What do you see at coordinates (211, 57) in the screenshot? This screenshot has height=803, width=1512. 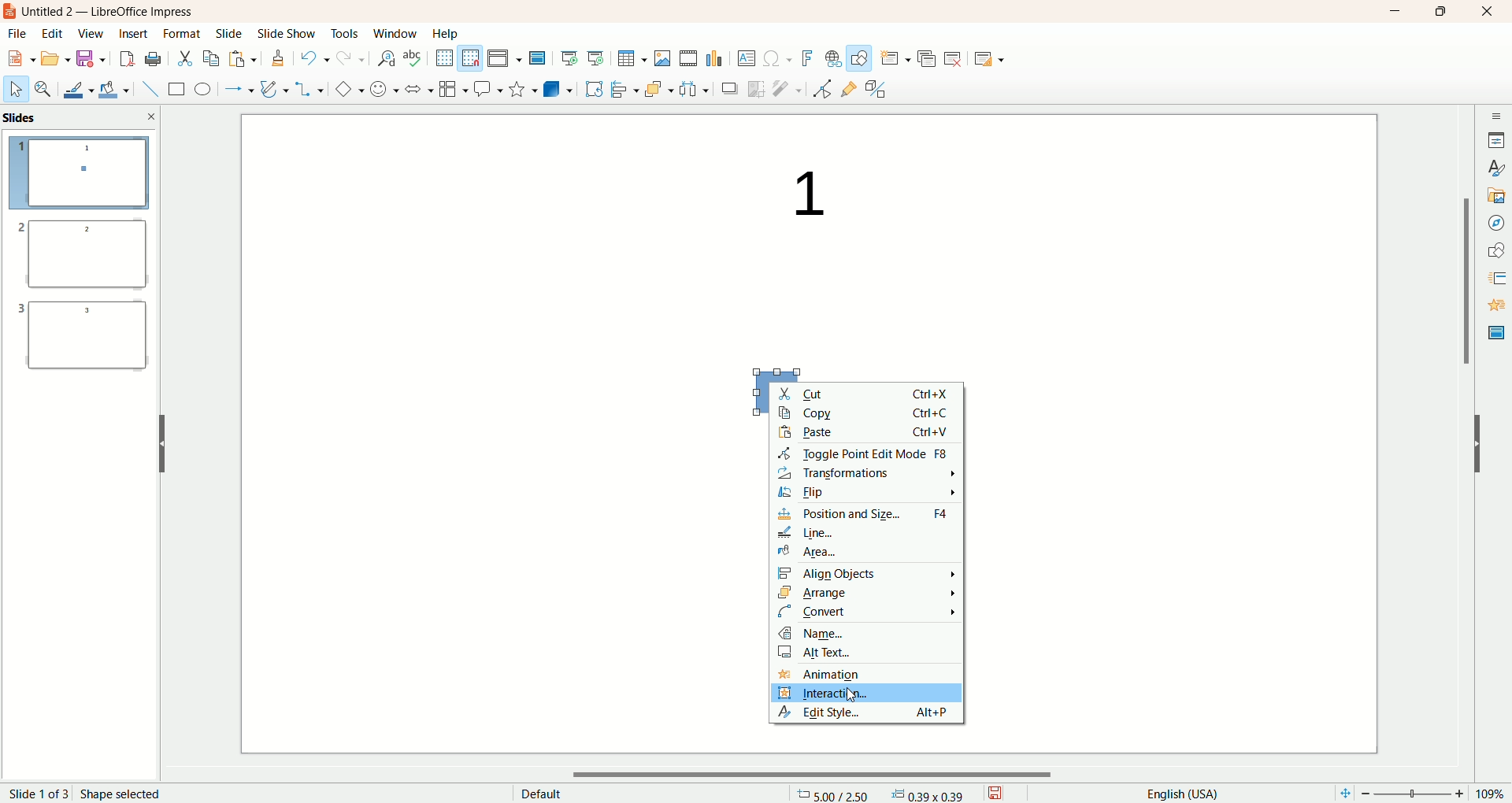 I see `copy` at bounding box center [211, 57].